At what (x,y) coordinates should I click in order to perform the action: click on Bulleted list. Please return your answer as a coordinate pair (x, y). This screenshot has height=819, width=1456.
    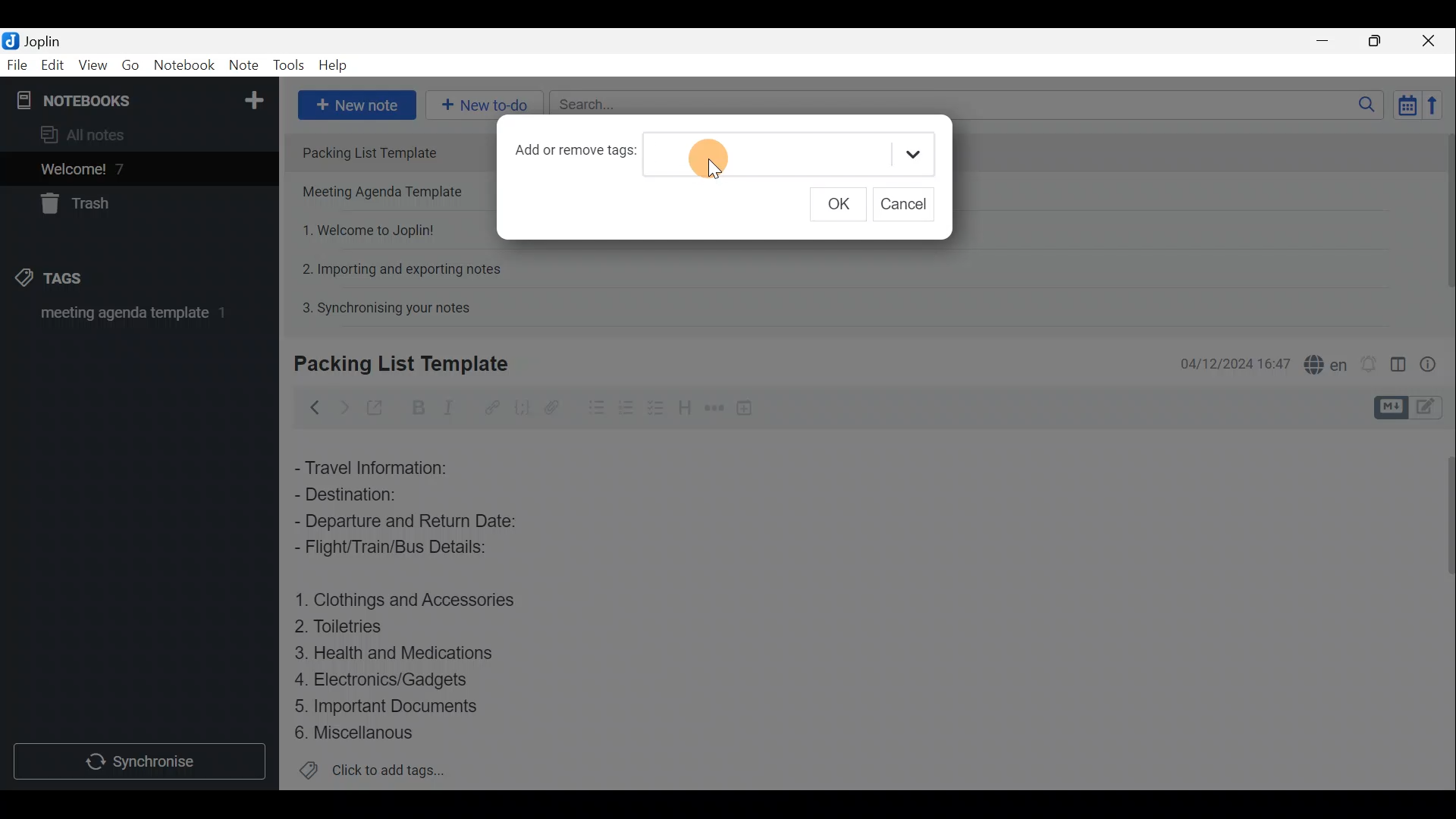
    Looking at the image, I should click on (591, 410).